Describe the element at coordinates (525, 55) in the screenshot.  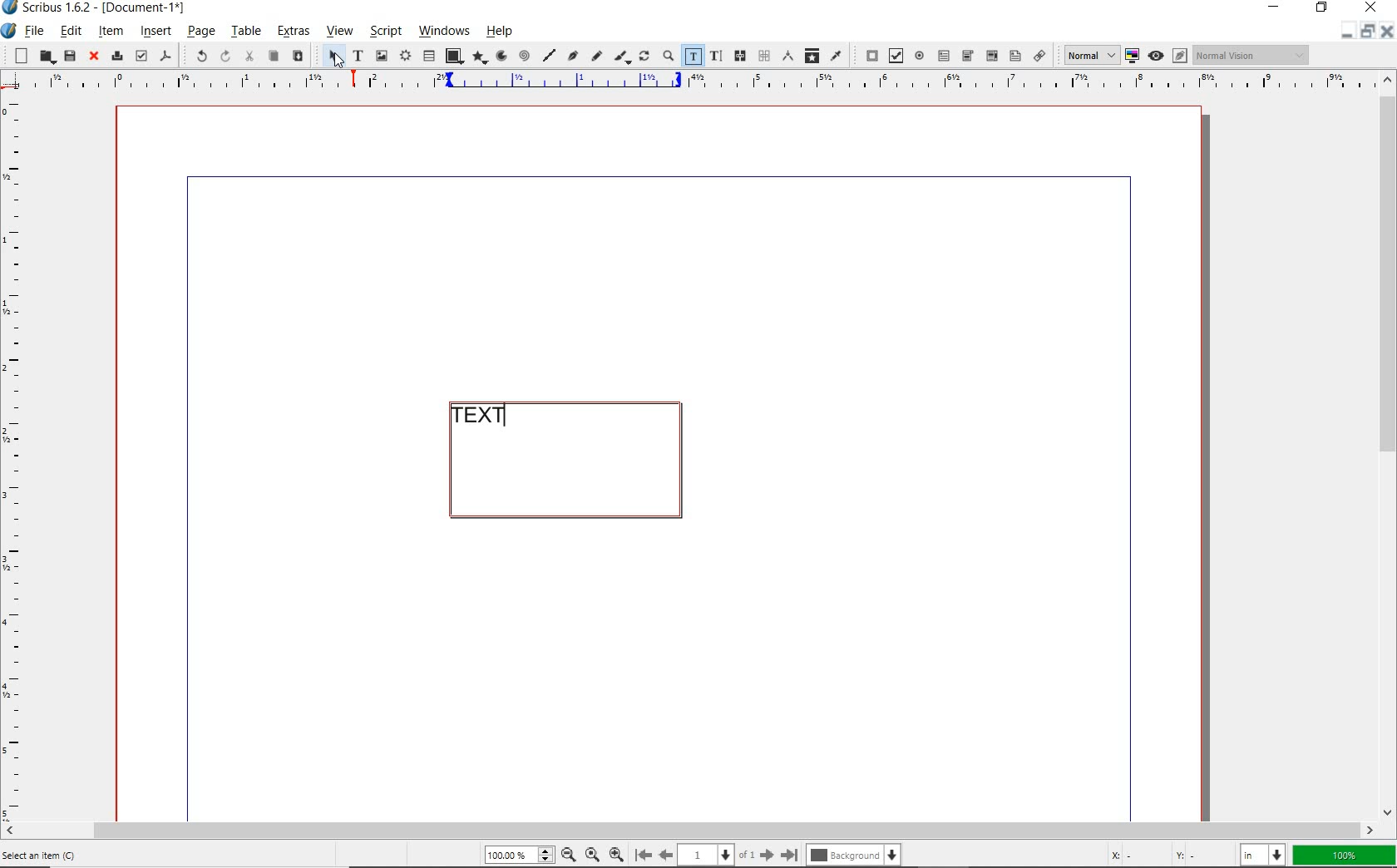
I see `spiral` at that location.